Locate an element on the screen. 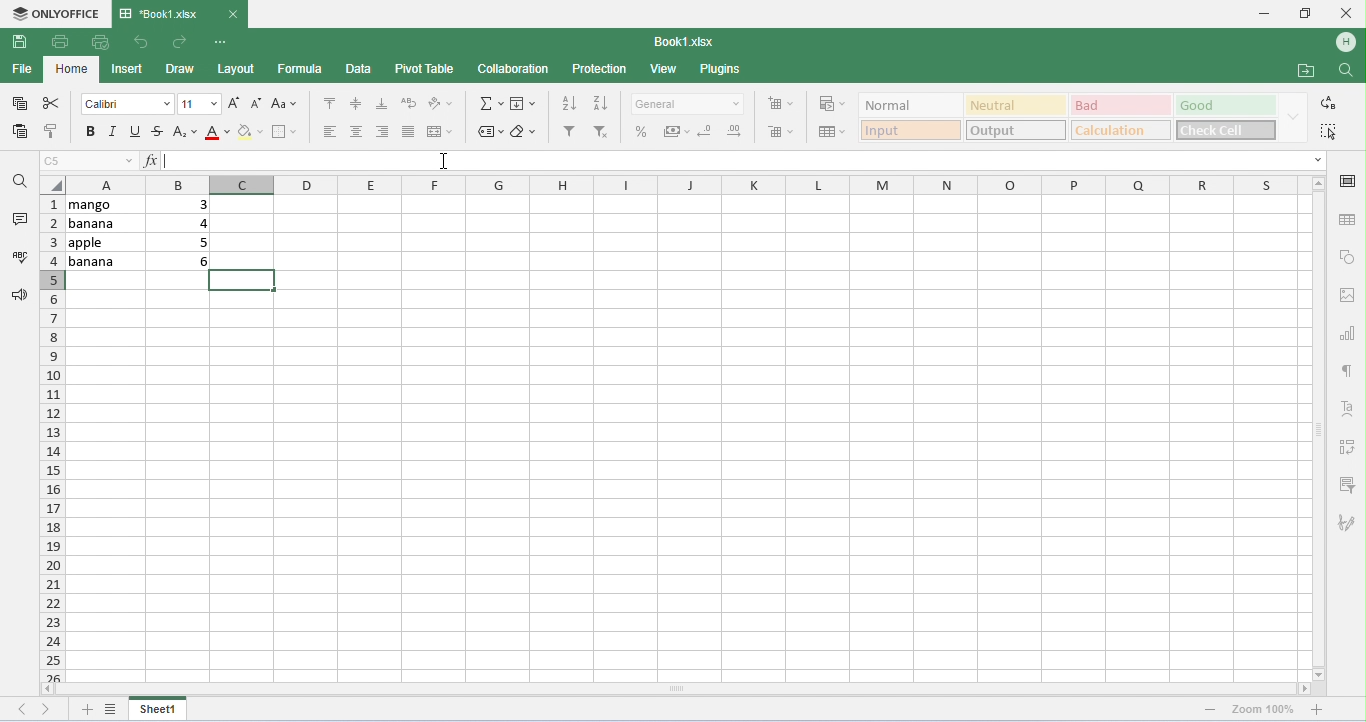 The width and height of the screenshot is (1366, 722). number format is located at coordinates (688, 106).